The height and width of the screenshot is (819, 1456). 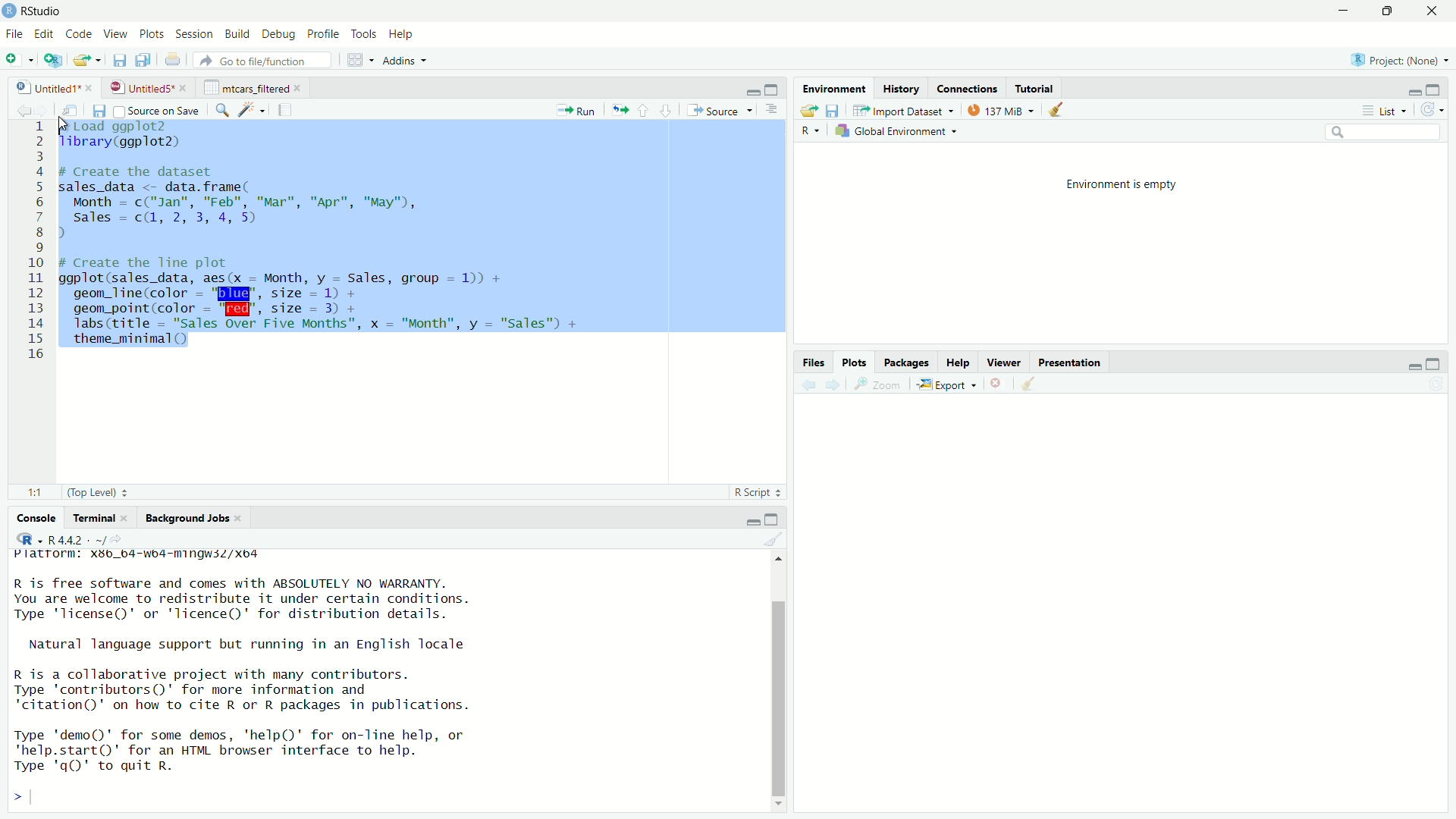 I want to click on Background Jobs, so click(x=187, y=519).